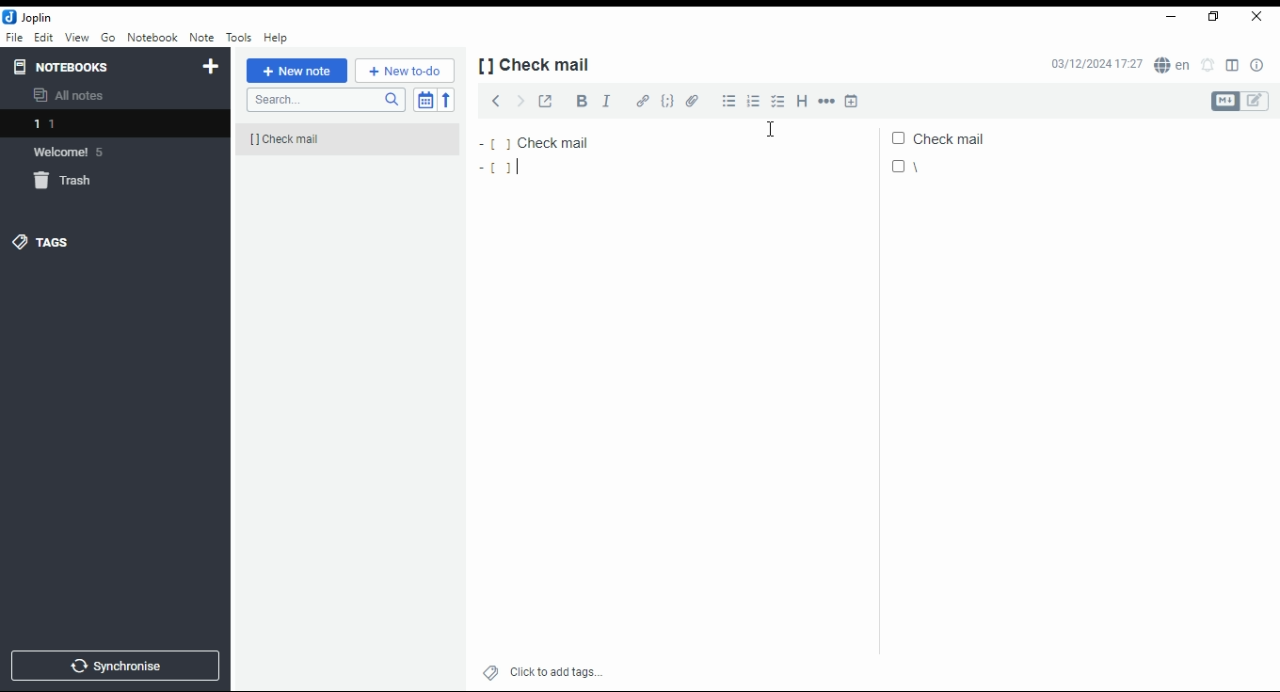  What do you see at coordinates (513, 172) in the screenshot?
I see `[]` at bounding box center [513, 172].